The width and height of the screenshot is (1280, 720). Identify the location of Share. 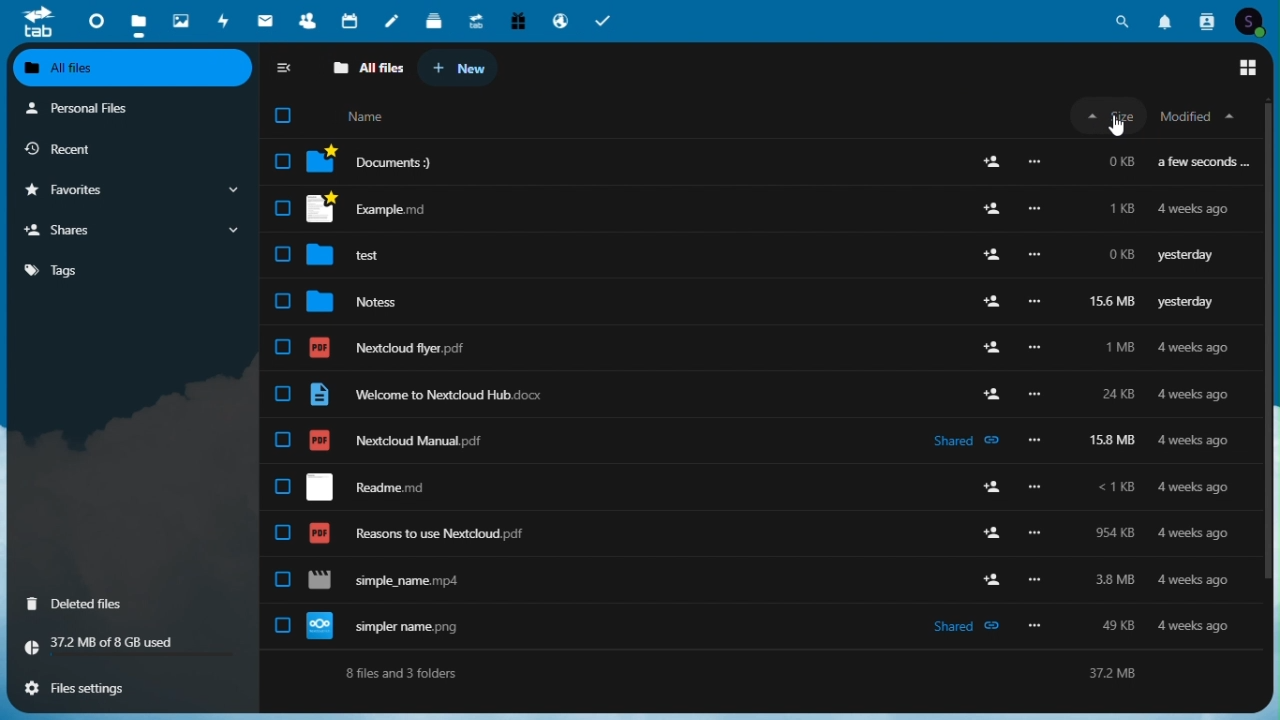
(133, 228).